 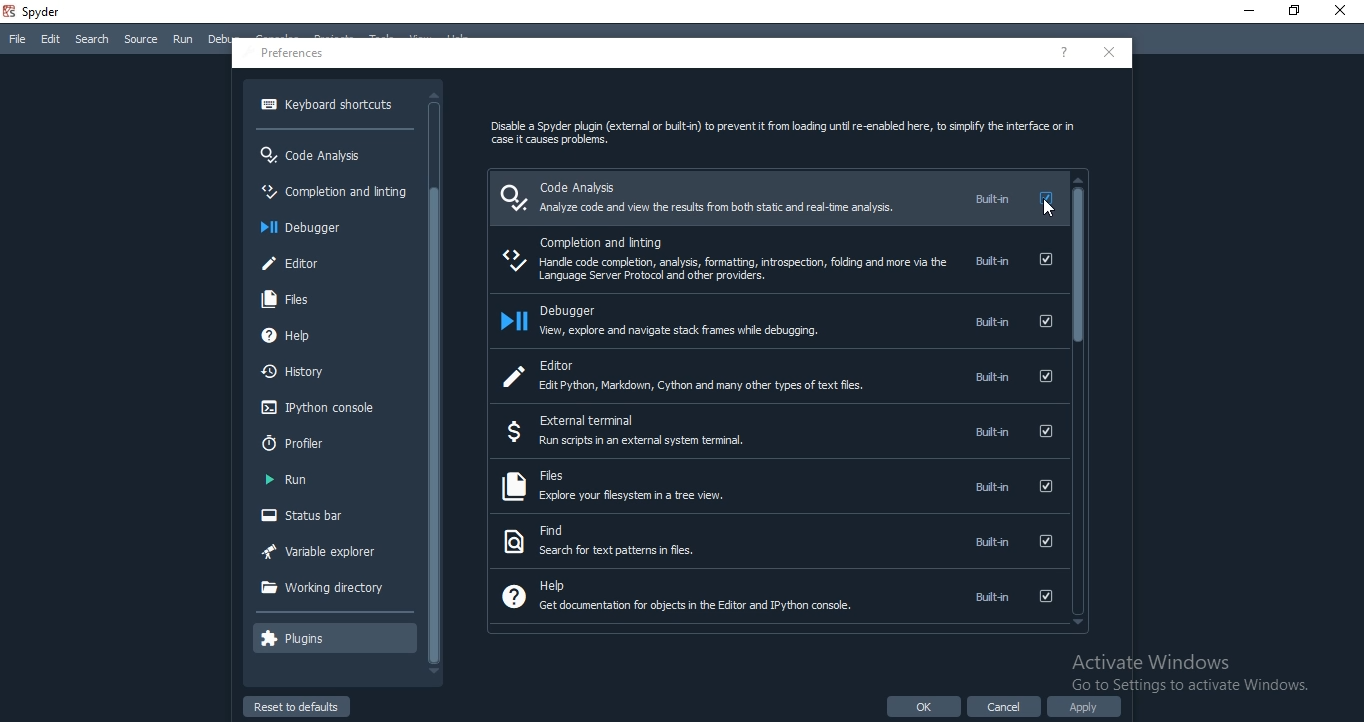 I want to click on editor, so click(x=329, y=263).